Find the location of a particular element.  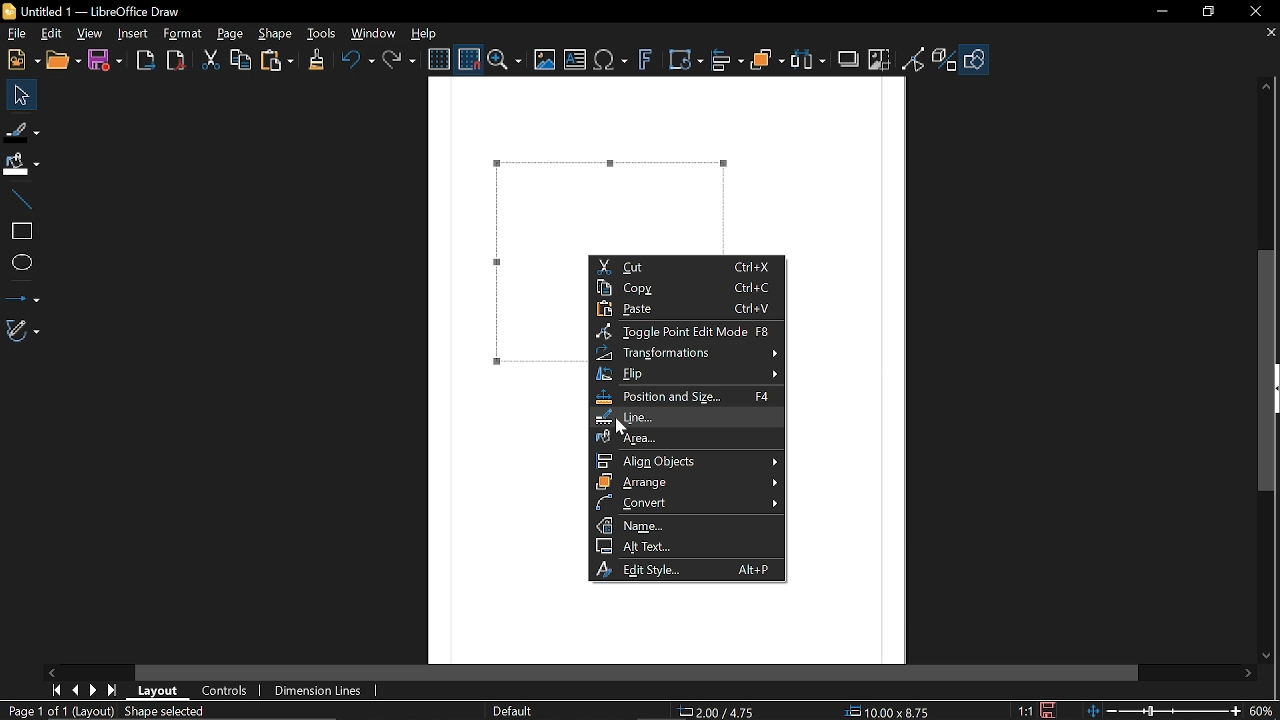

rectangle is located at coordinates (21, 232).